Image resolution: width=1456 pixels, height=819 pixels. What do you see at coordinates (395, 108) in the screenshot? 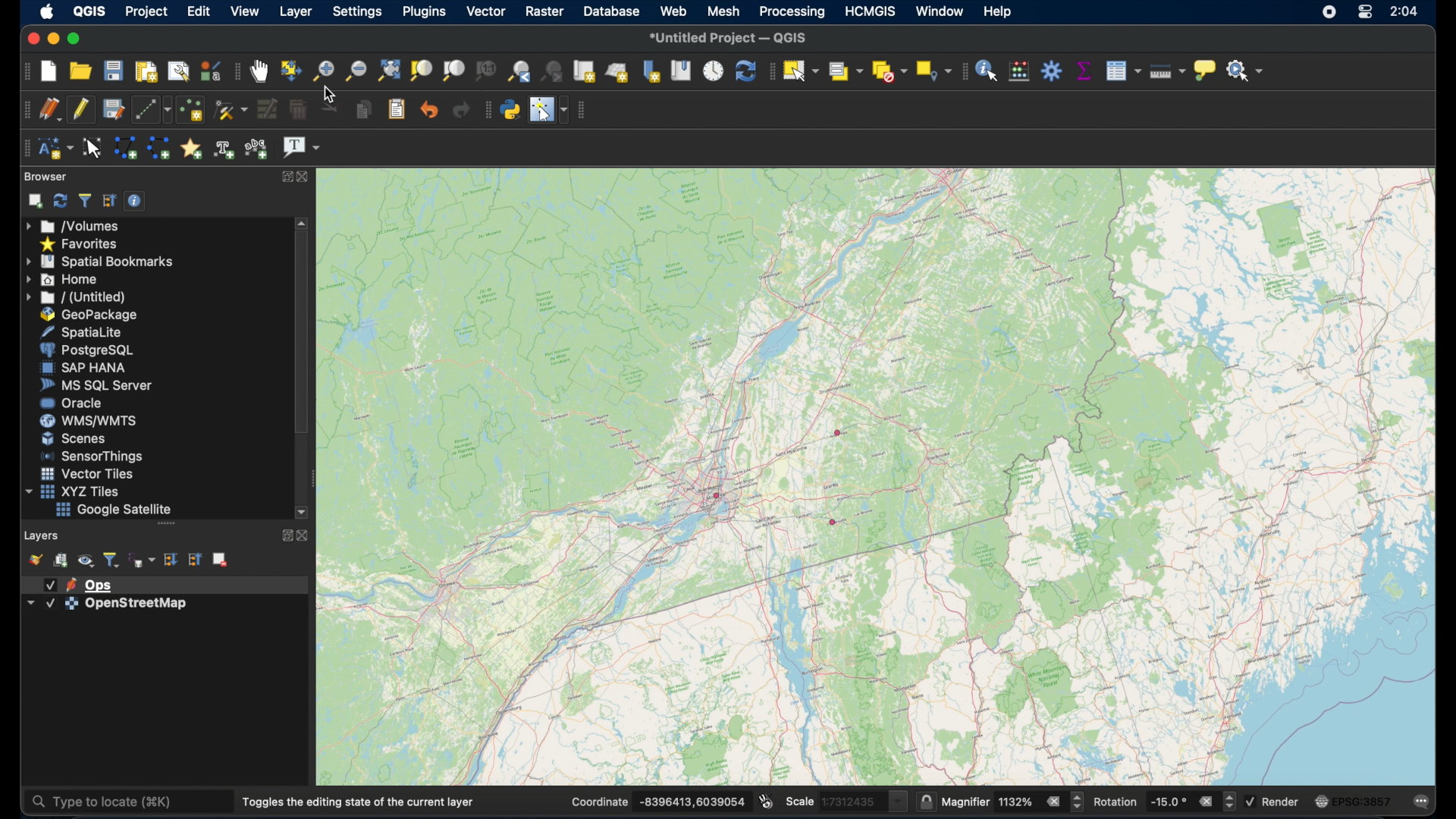
I see `paste features ` at bounding box center [395, 108].